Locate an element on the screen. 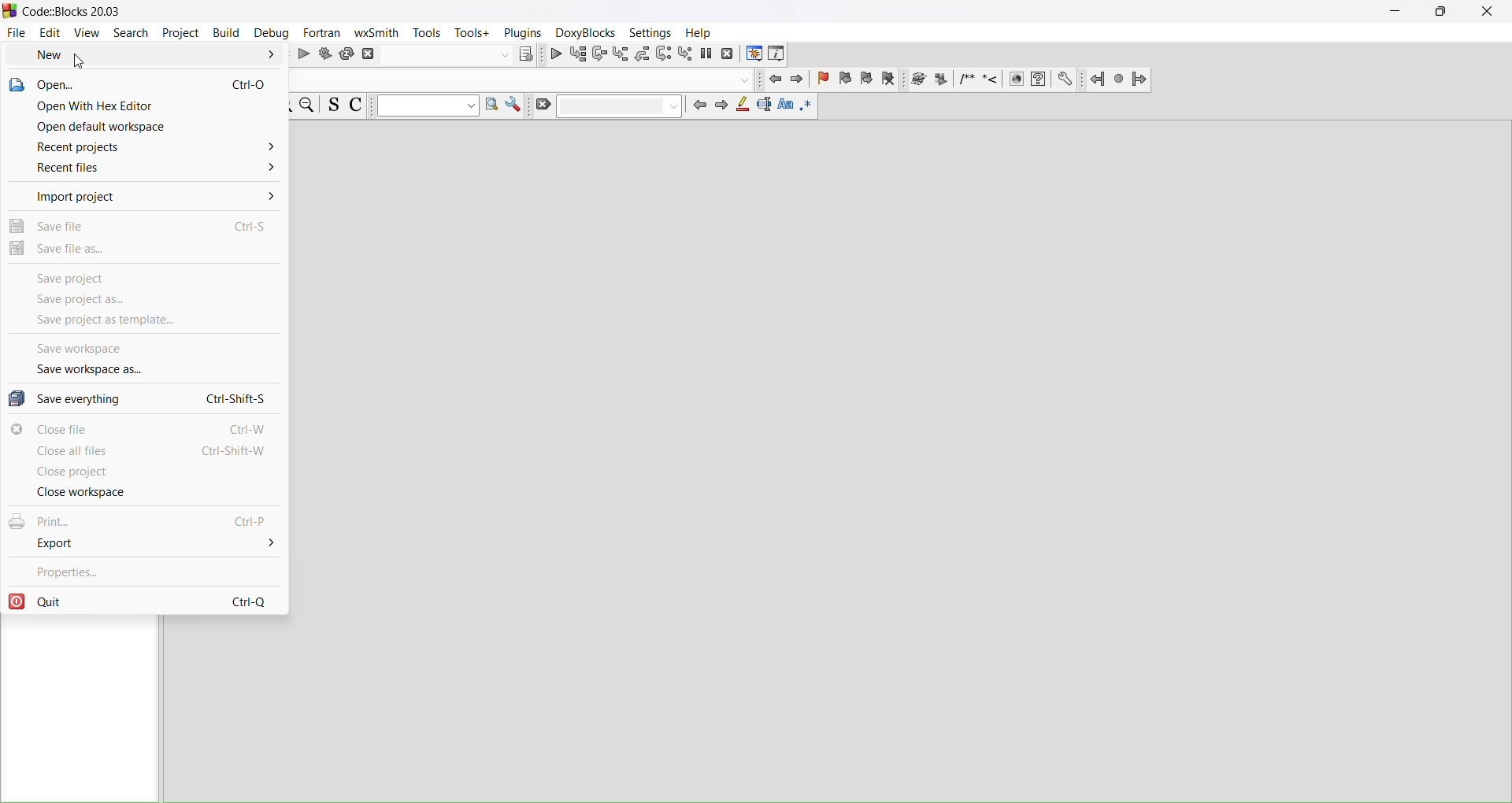 This screenshot has width=1512, height=803. save file is located at coordinates (144, 224).